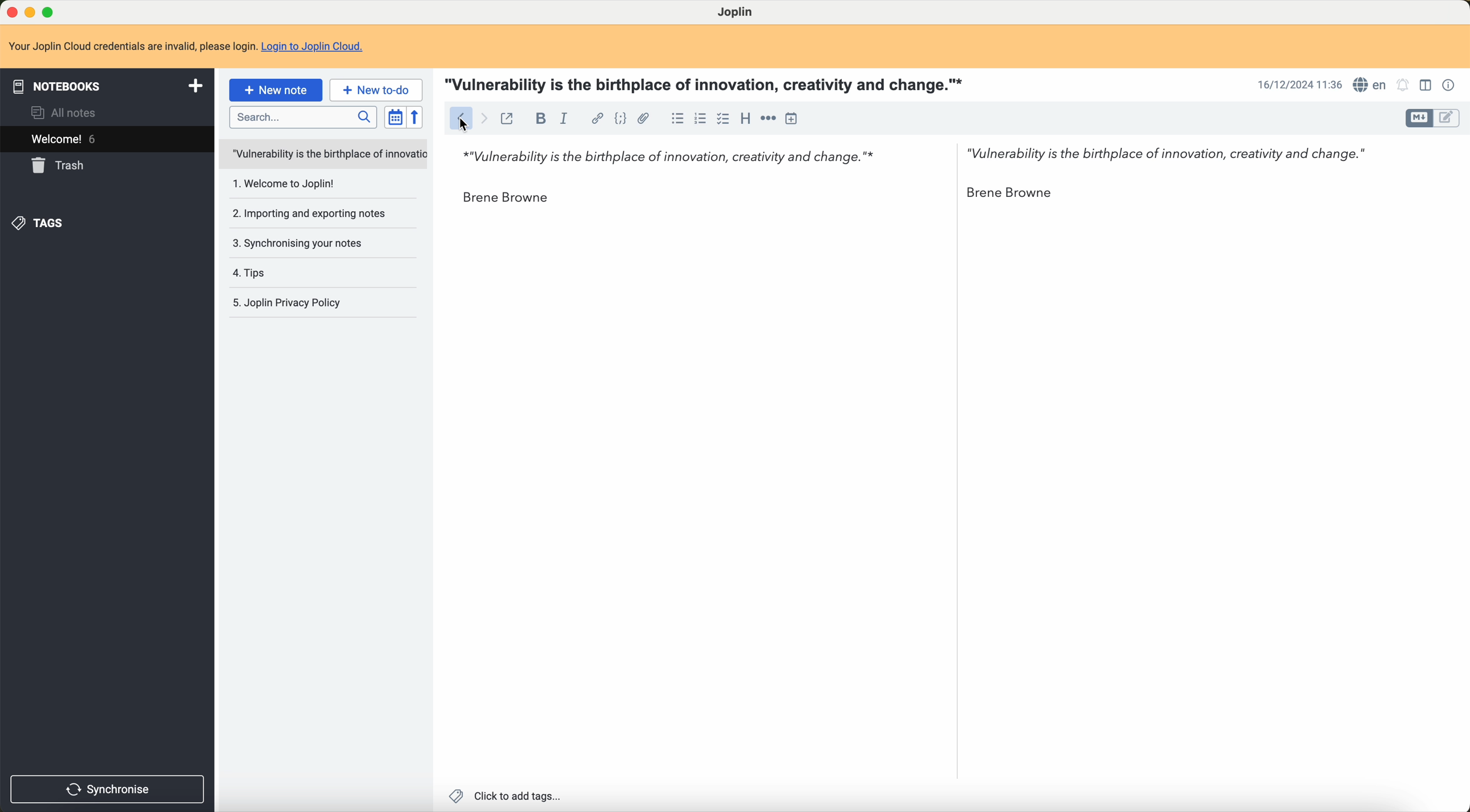 The height and width of the screenshot is (812, 1470). What do you see at coordinates (593, 118) in the screenshot?
I see `hyperlink` at bounding box center [593, 118].